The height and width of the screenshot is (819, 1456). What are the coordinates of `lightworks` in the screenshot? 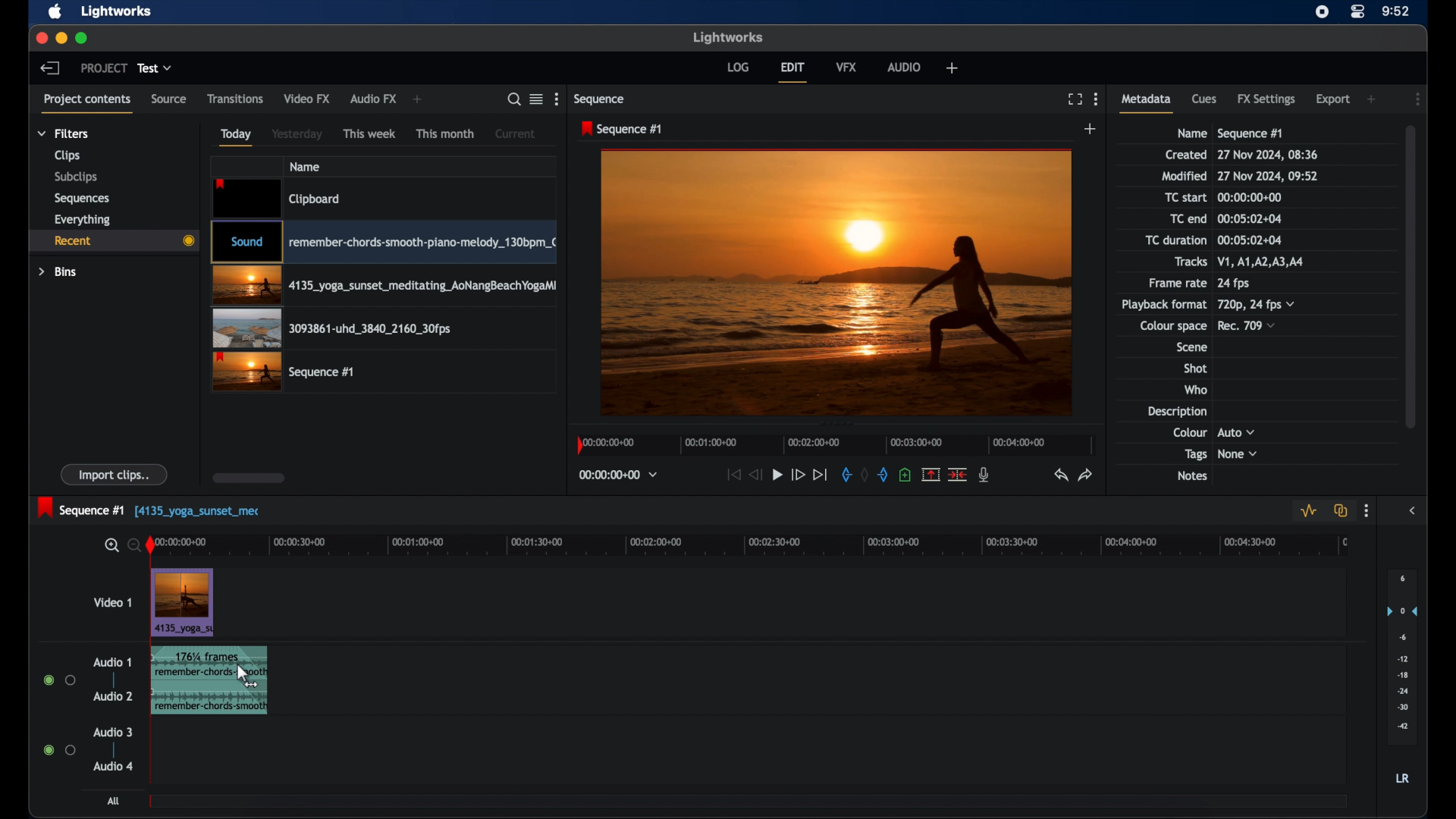 It's located at (728, 37).